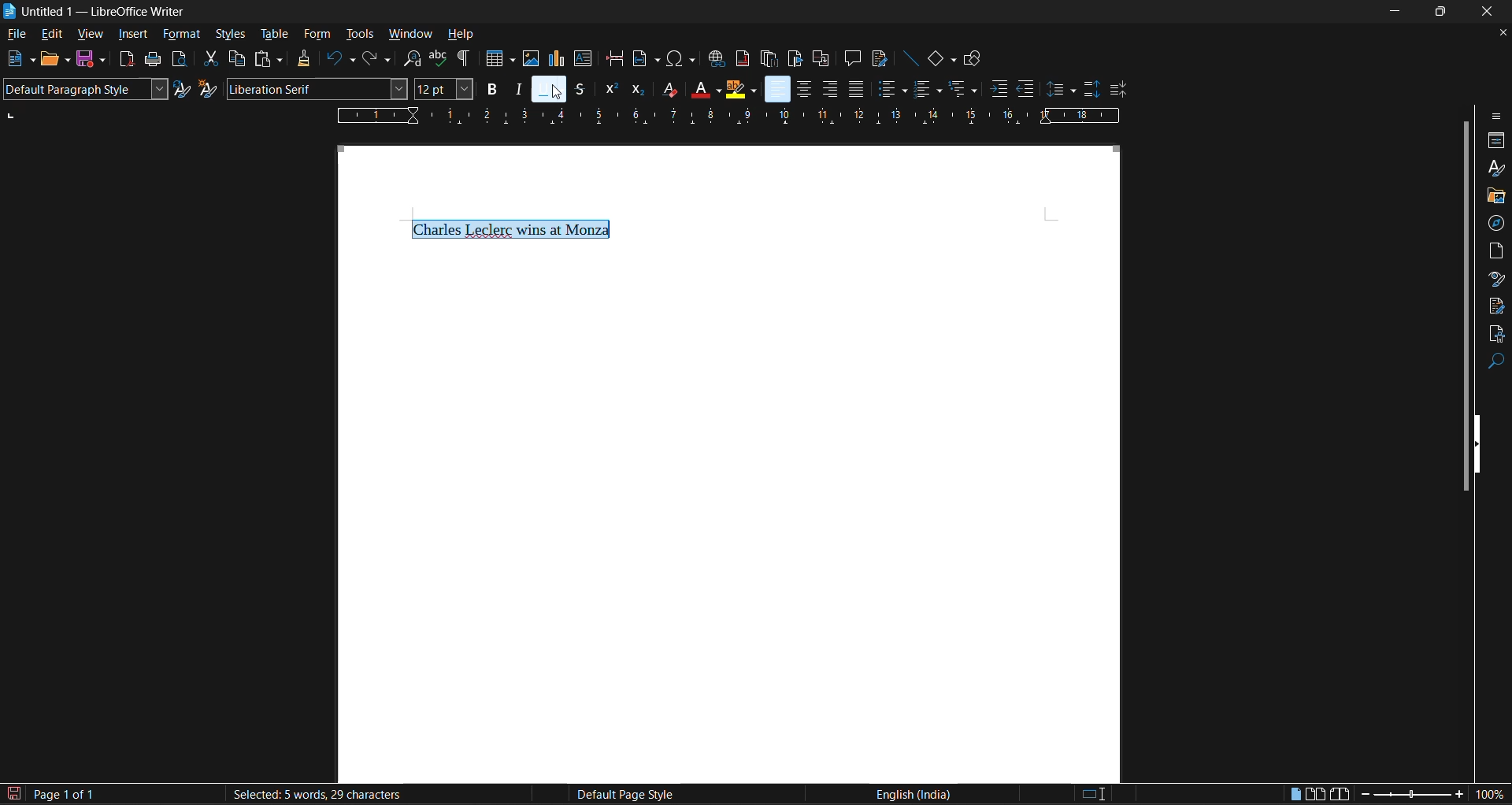  Describe the element at coordinates (513, 229) in the screenshot. I see `selected text` at that location.